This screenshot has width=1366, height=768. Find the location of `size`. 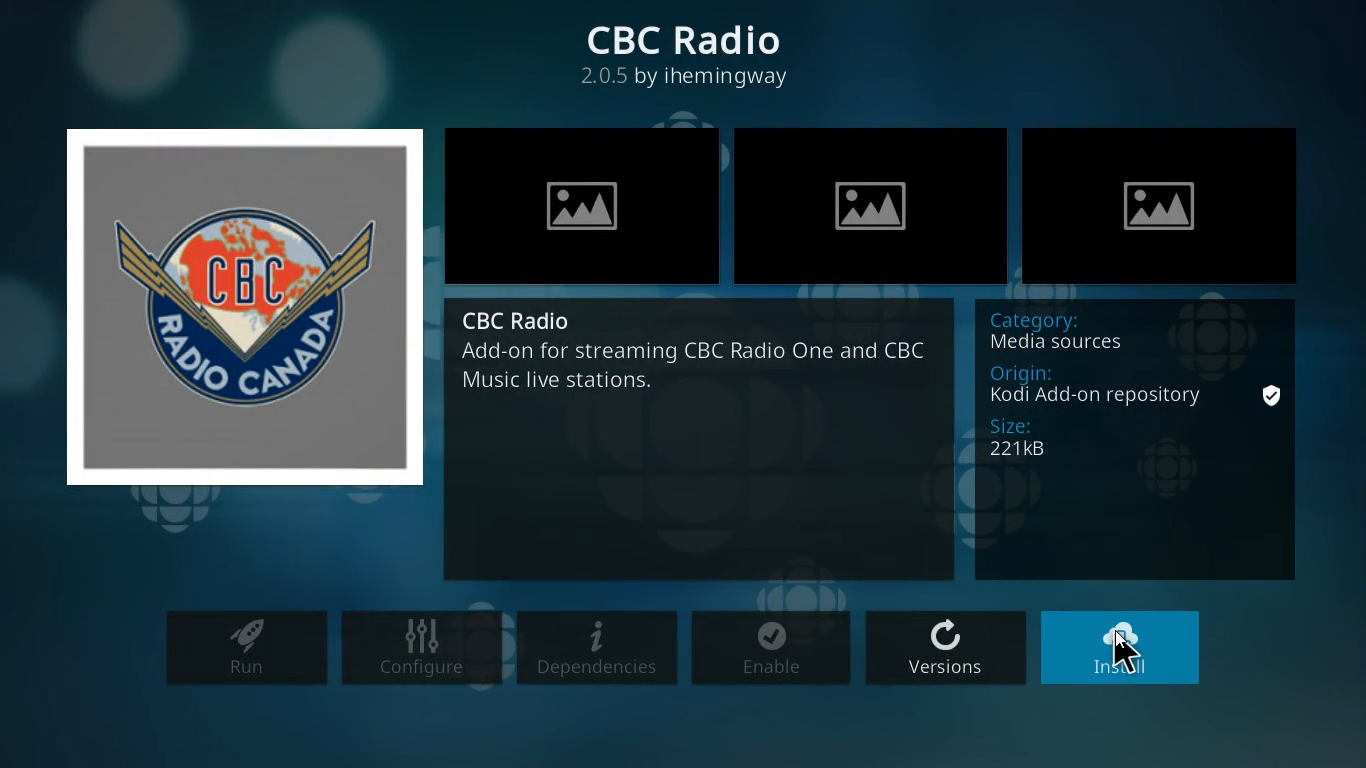

size is located at coordinates (1039, 438).